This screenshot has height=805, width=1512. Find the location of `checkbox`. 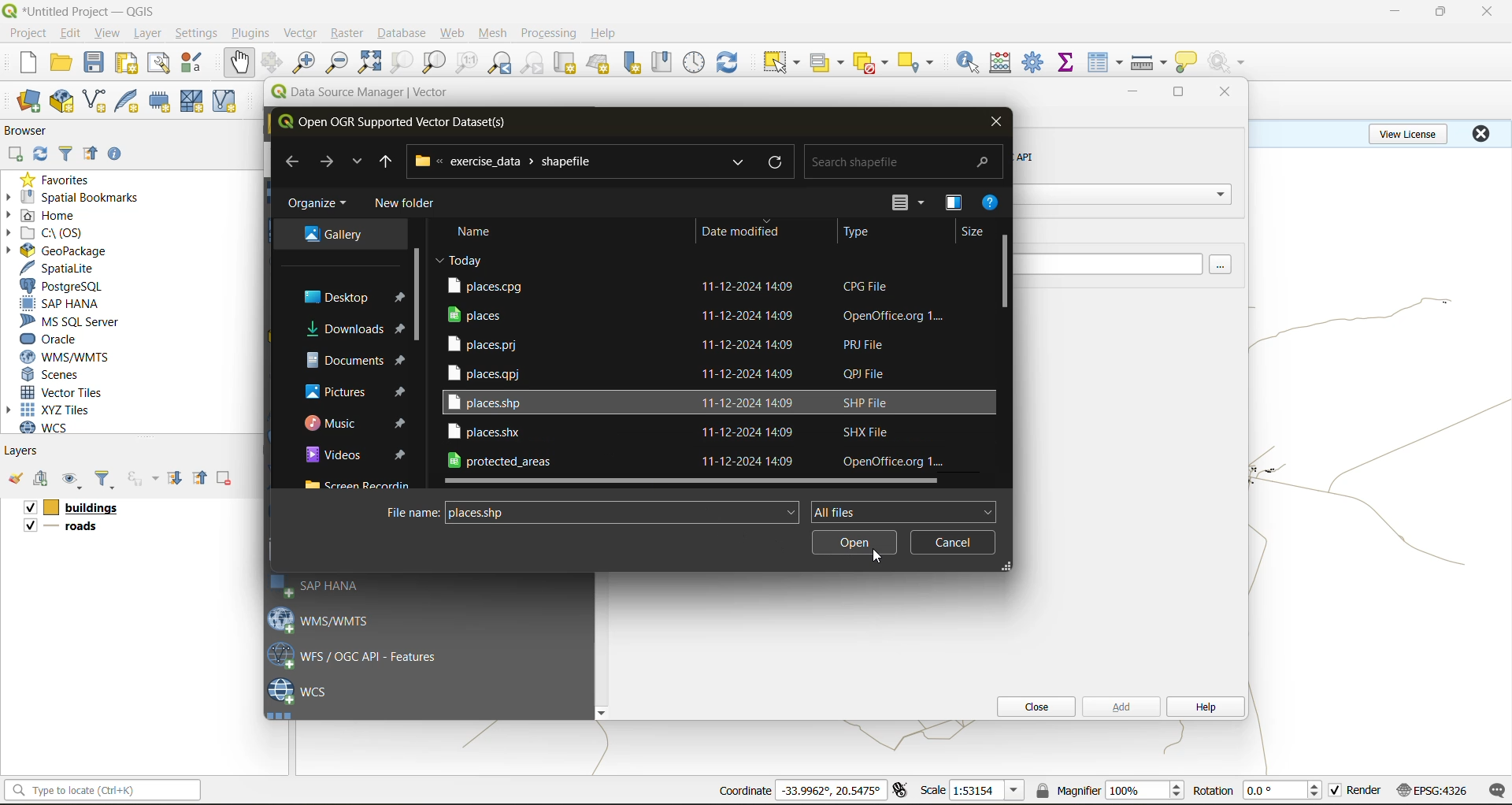

checkbox is located at coordinates (1336, 791).